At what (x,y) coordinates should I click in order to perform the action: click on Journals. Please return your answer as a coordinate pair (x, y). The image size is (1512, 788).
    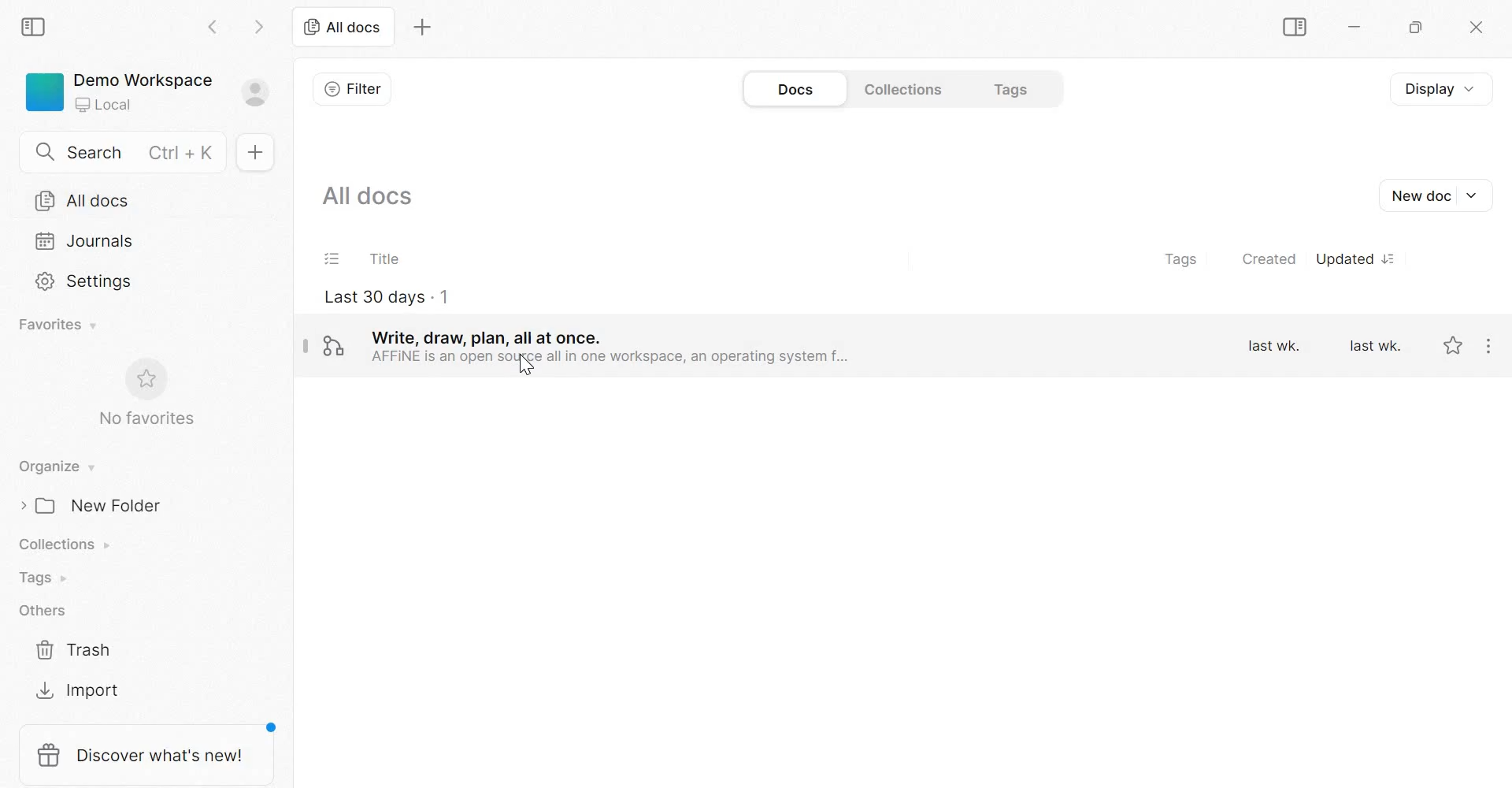
    Looking at the image, I should click on (95, 243).